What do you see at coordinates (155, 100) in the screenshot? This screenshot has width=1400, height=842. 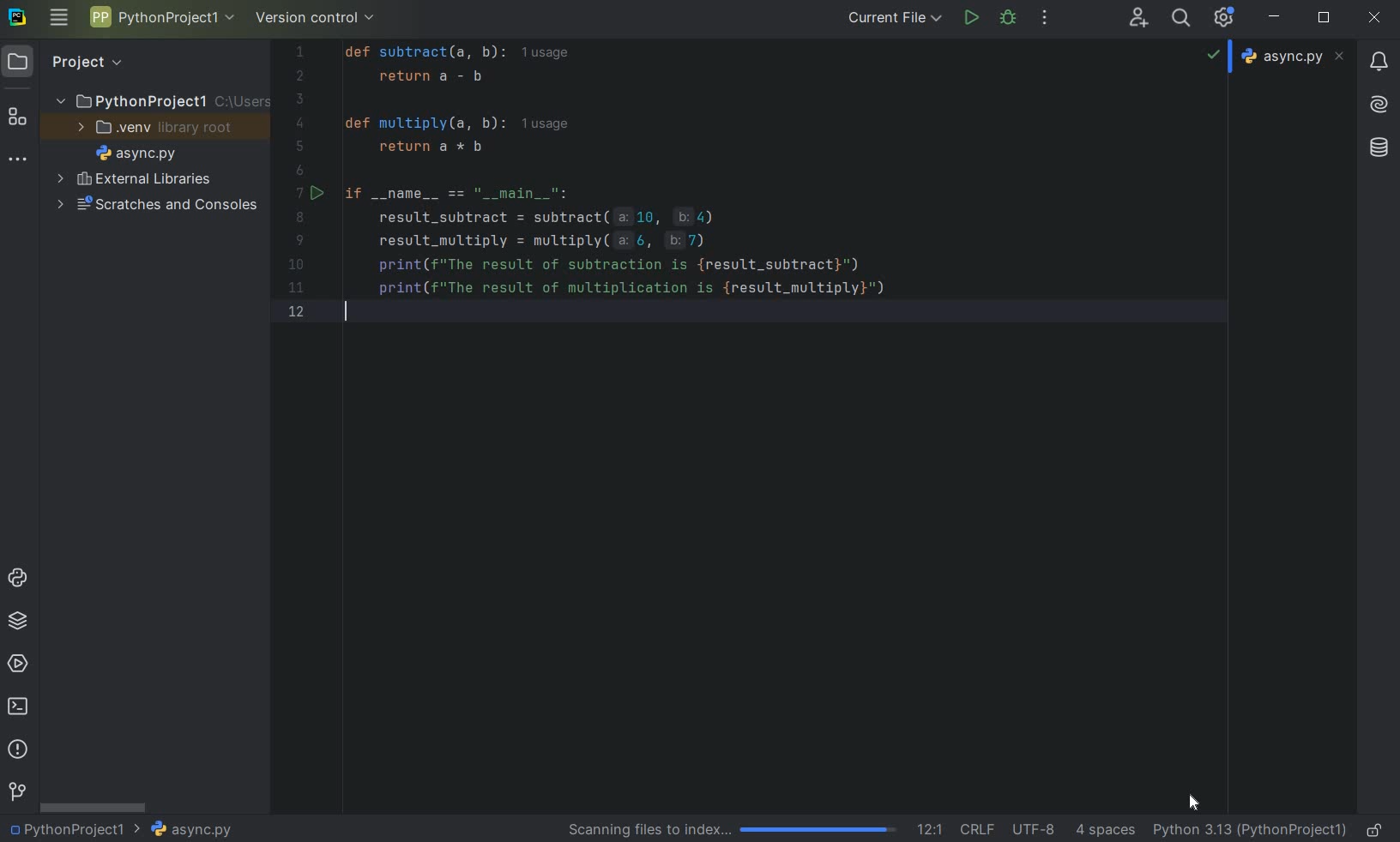 I see `project folder` at bounding box center [155, 100].